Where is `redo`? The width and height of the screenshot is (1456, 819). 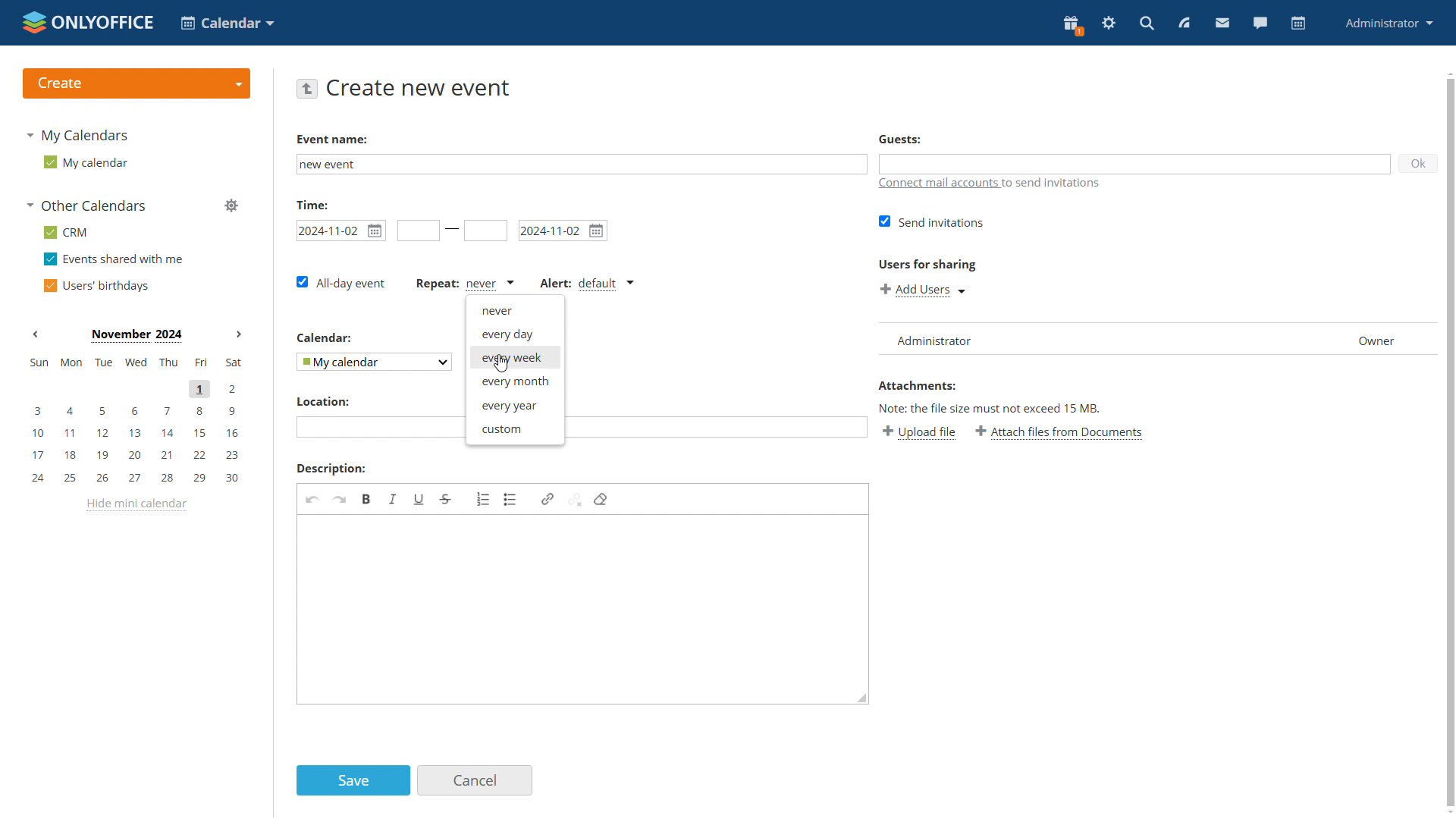
redo is located at coordinates (340, 499).